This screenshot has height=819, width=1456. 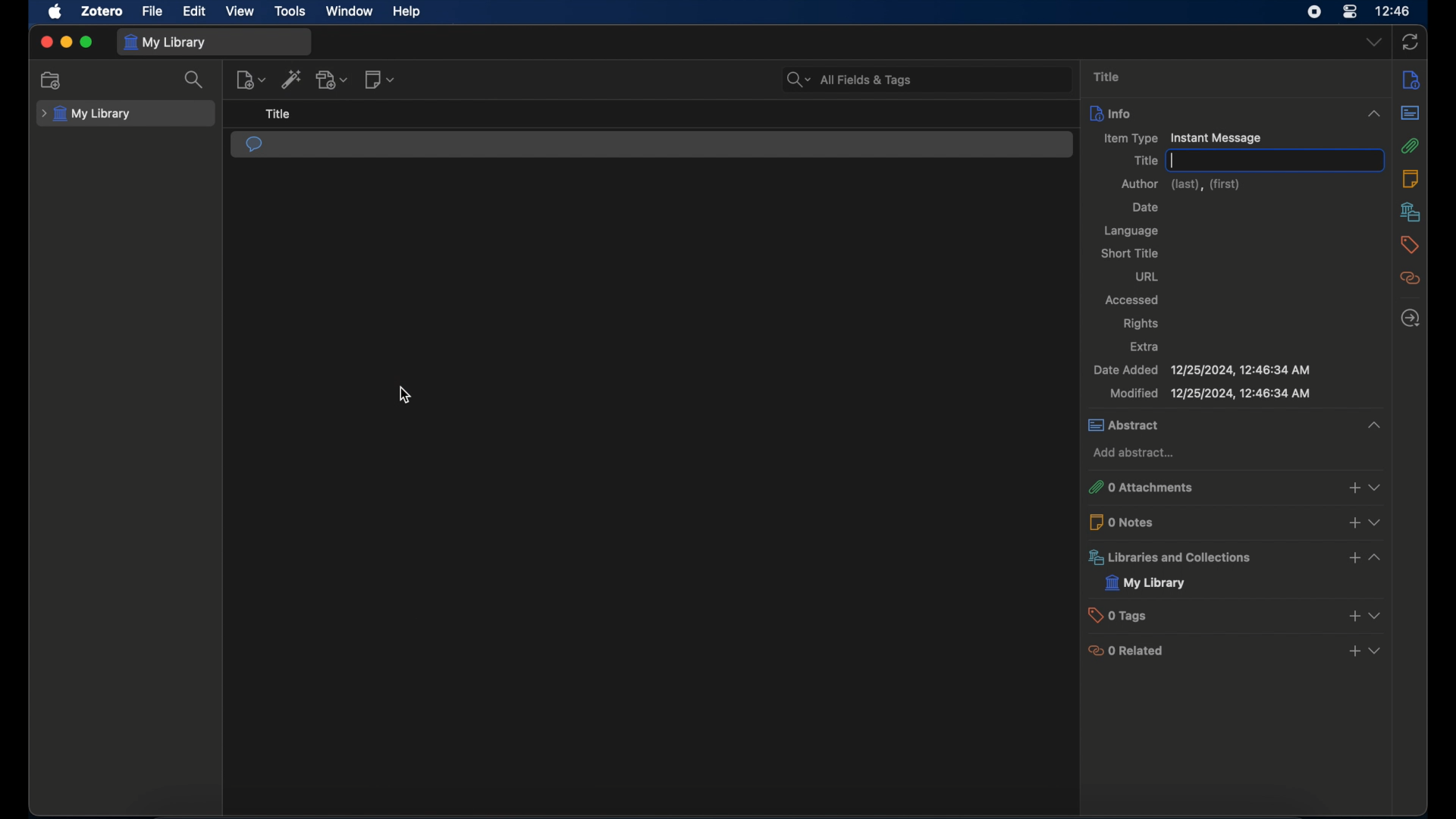 I want to click on new note, so click(x=381, y=80).